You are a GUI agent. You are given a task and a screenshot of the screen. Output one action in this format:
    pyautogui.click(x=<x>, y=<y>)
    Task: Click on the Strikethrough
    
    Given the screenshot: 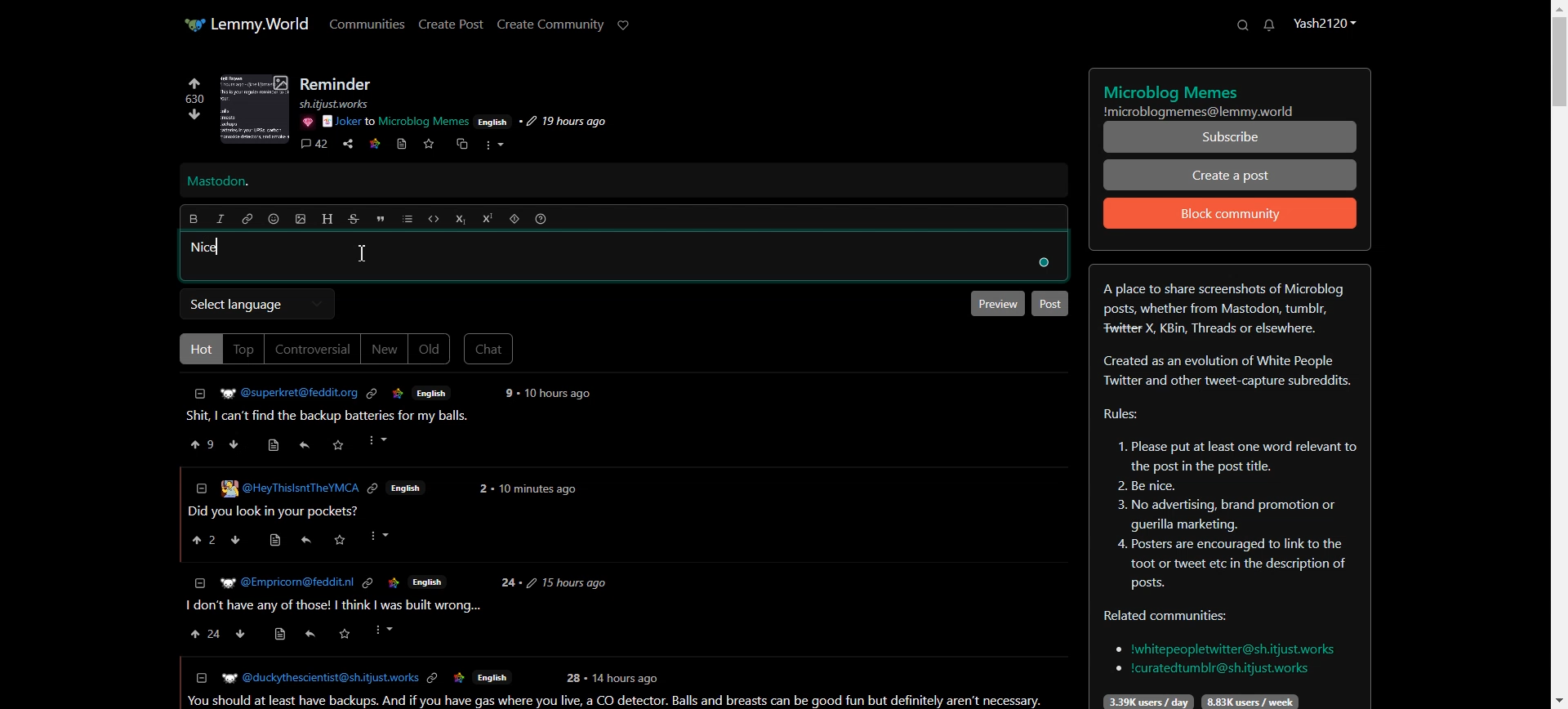 What is the action you would take?
    pyautogui.click(x=354, y=219)
    